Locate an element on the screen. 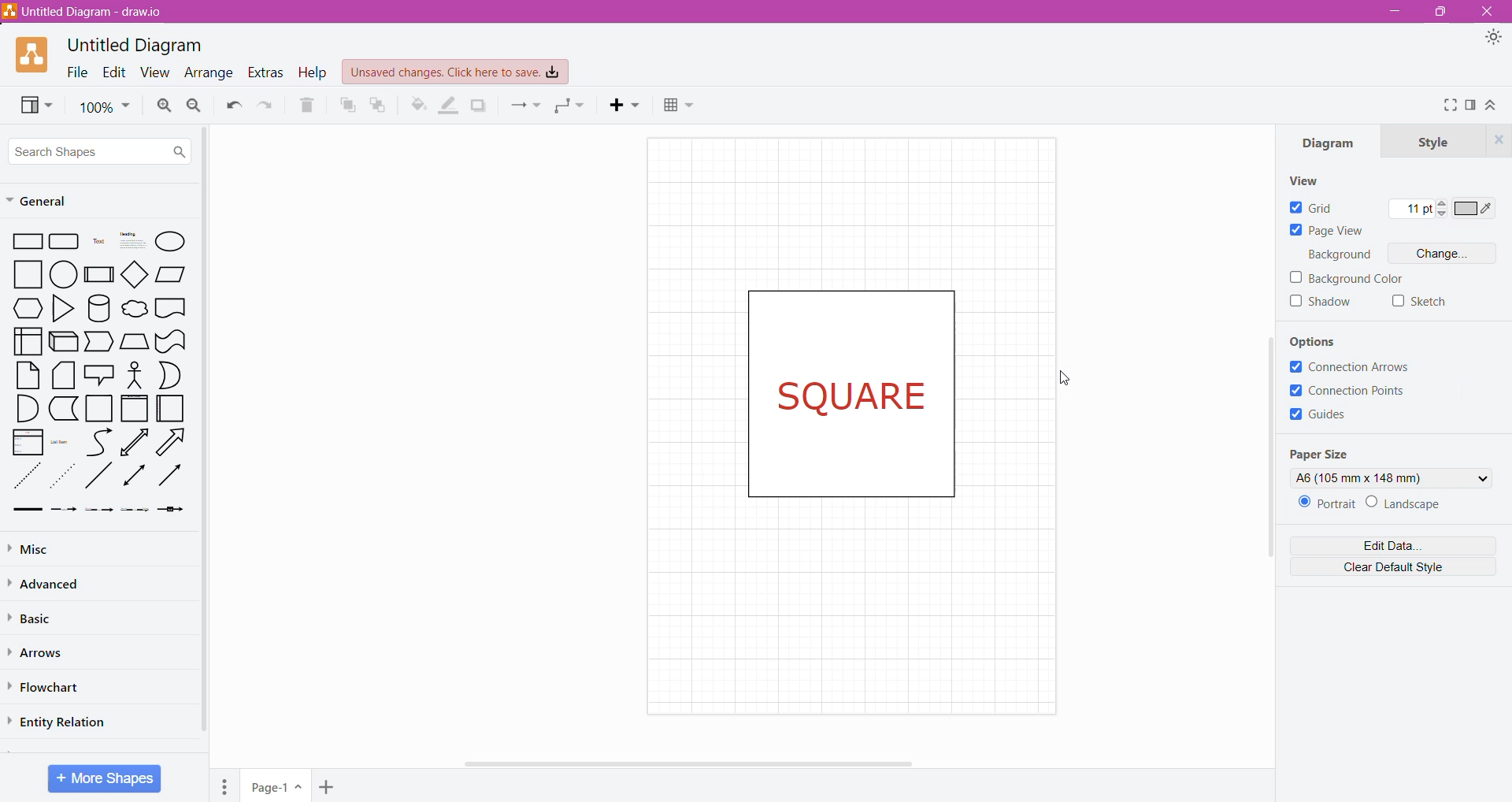 This screenshot has width=1512, height=802. Cursor is located at coordinates (1069, 377).